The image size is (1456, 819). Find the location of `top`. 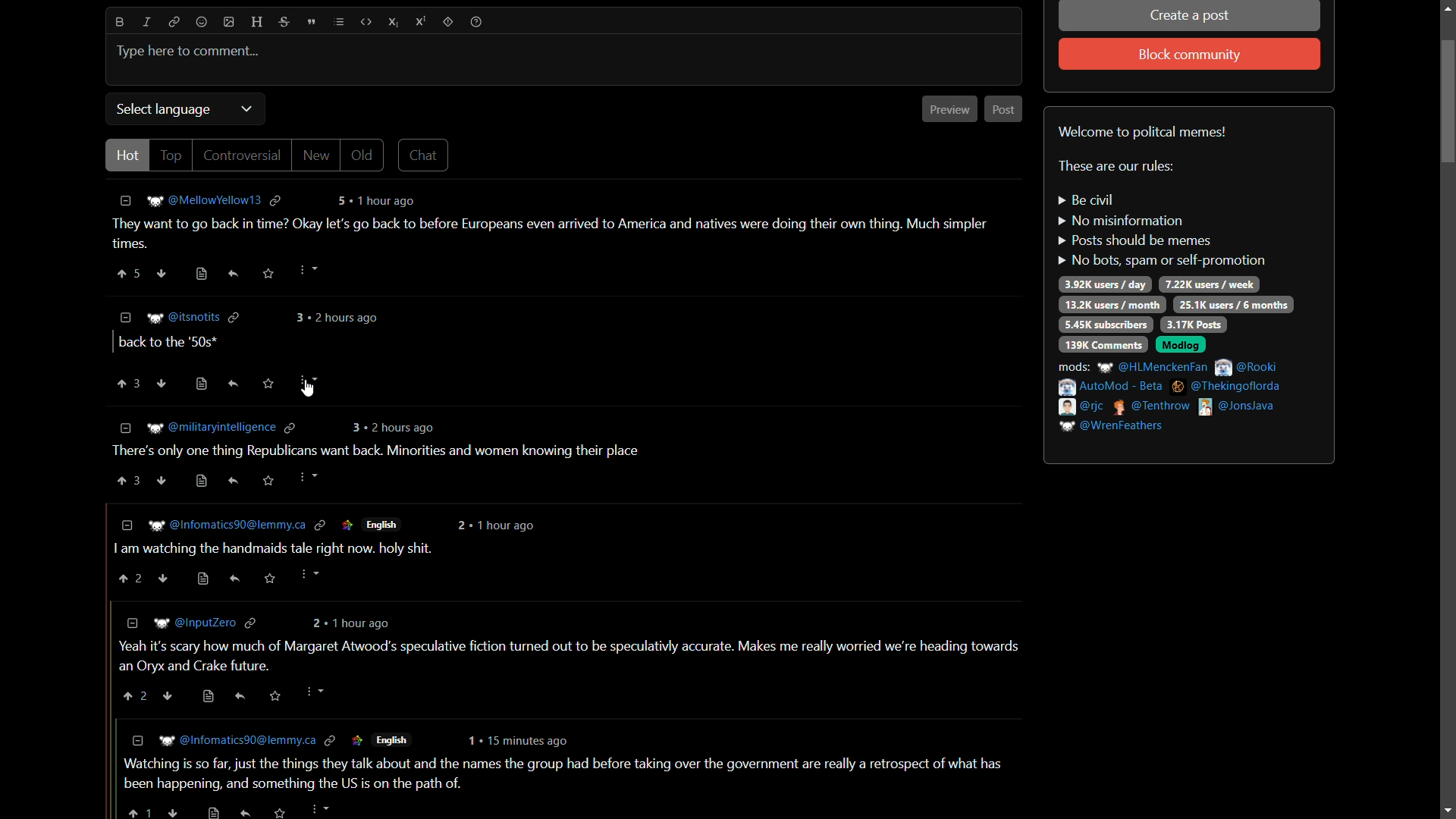

top is located at coordinates (172, 155).